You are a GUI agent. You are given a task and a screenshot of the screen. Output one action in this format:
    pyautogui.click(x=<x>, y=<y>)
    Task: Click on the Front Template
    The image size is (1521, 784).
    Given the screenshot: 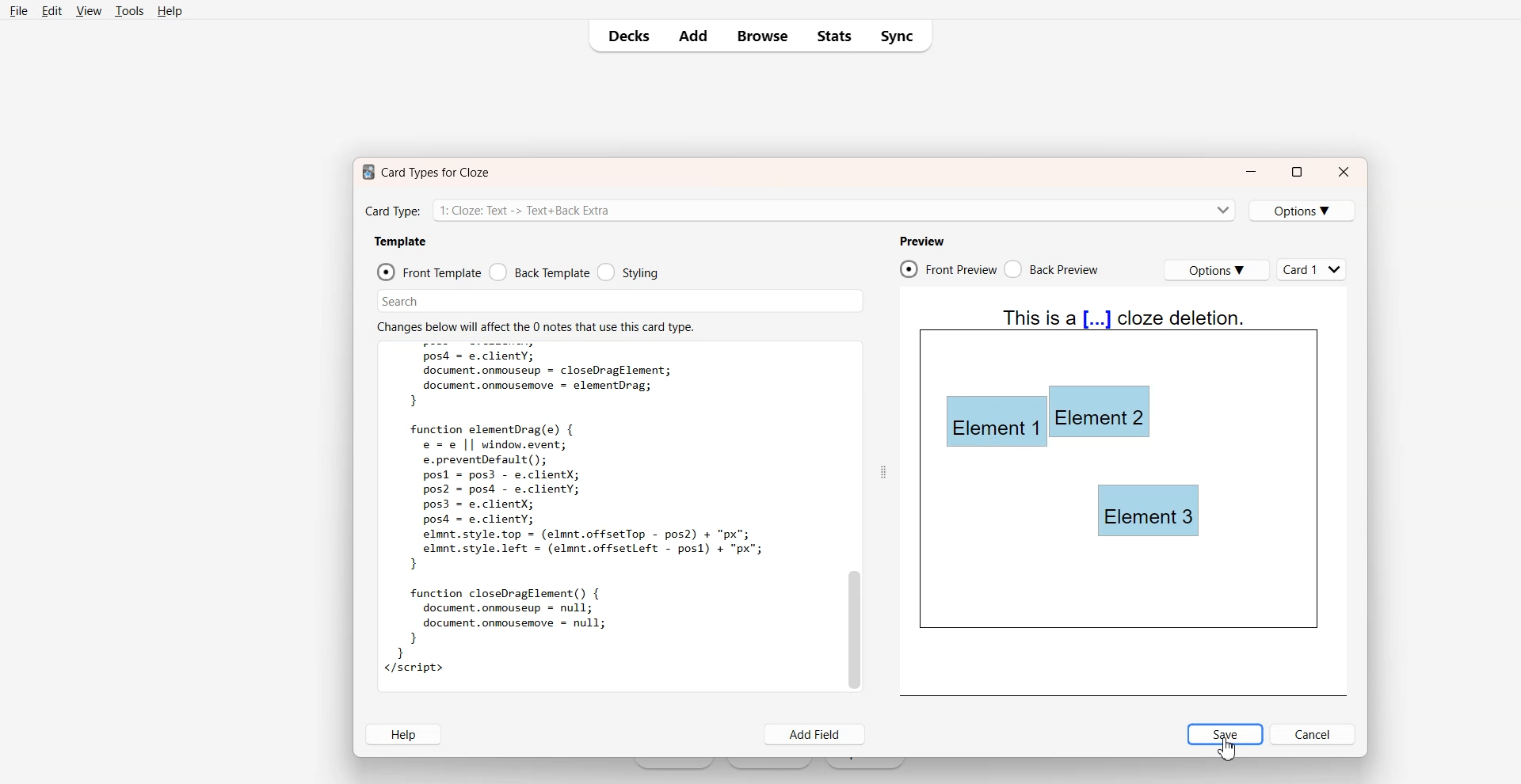 What is the action you would take?
    pyautogui.click(x=429, y=272)
    